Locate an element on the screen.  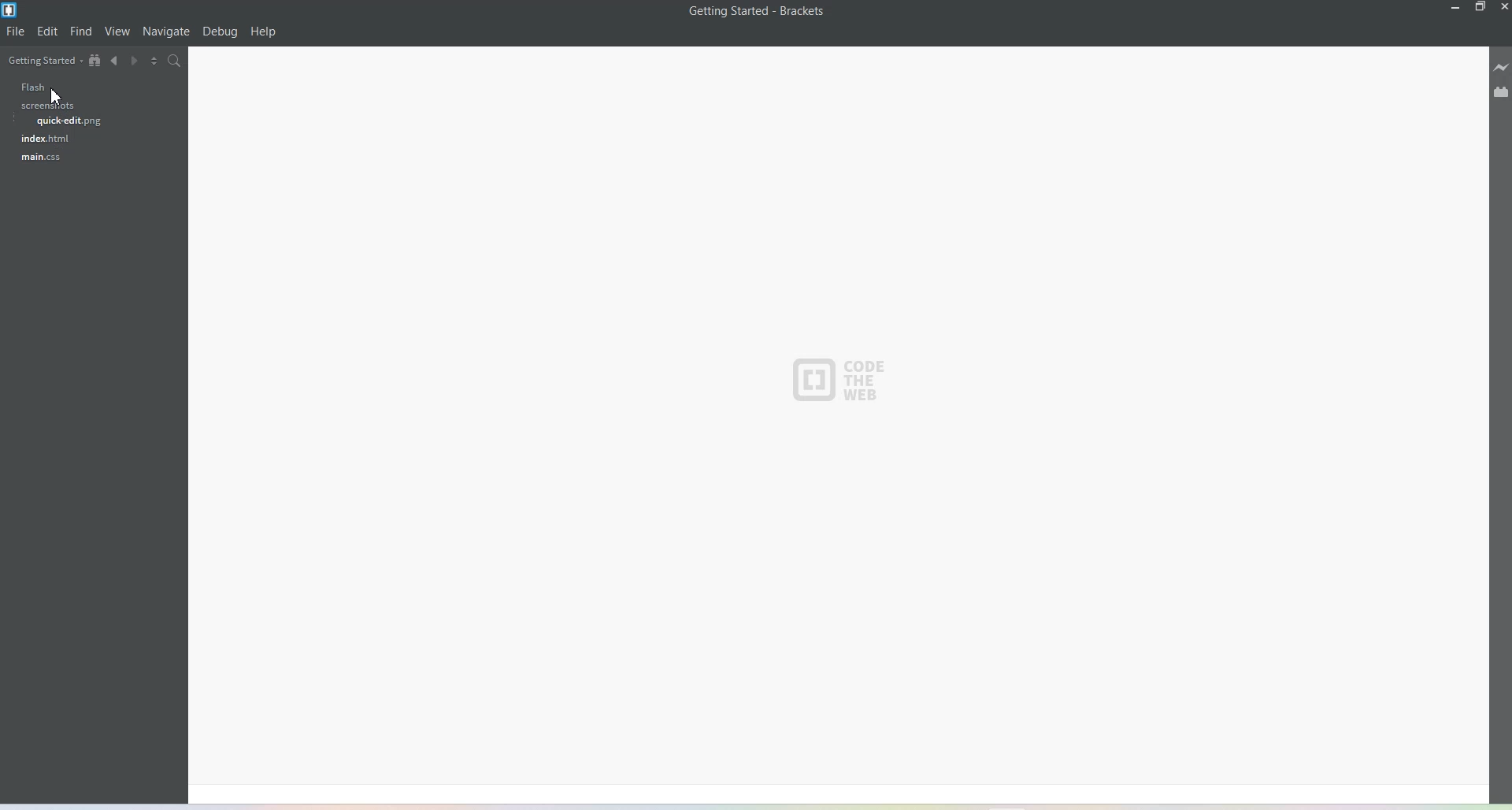
File is located at coordinates (17, 32).